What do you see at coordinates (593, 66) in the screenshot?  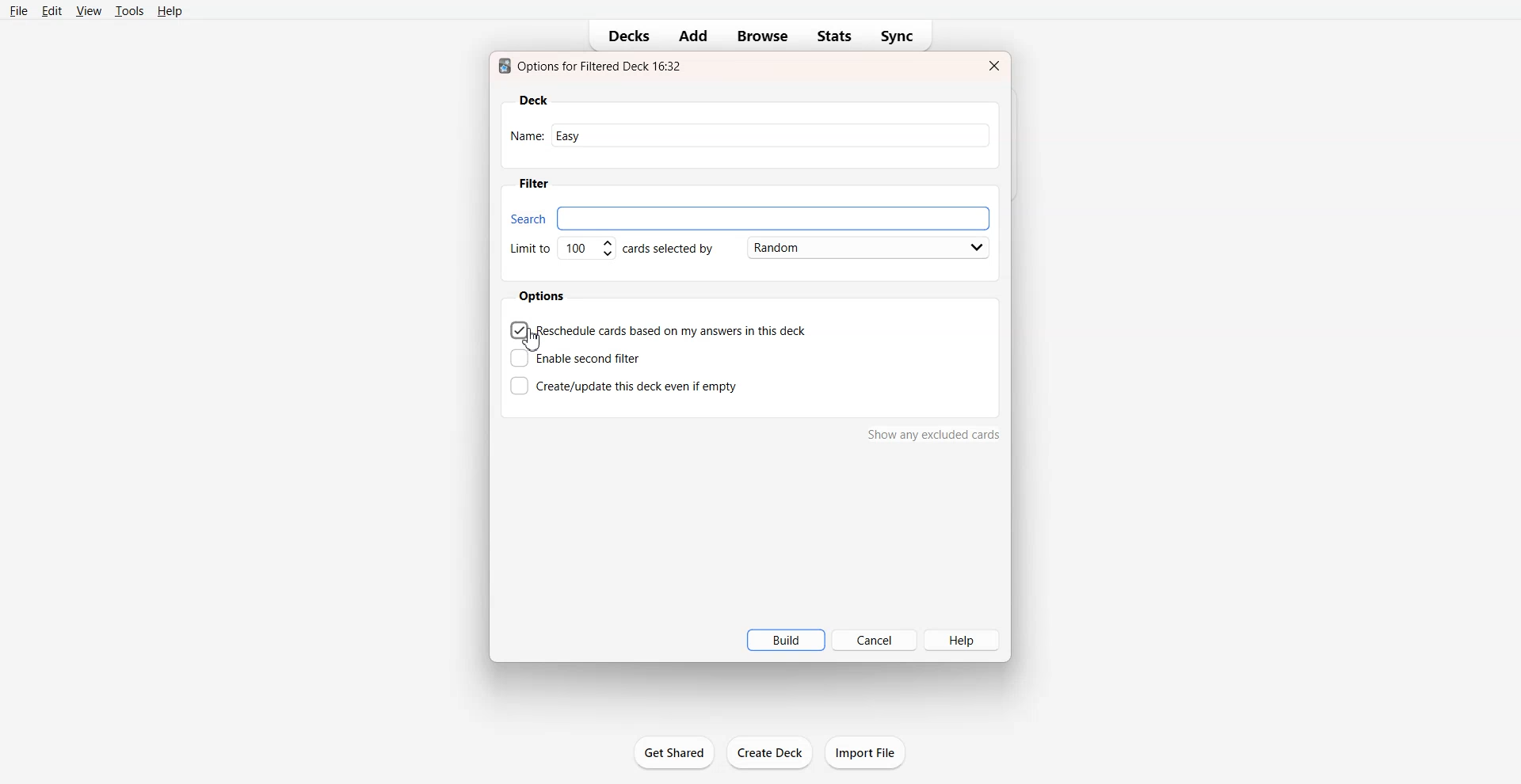 I see `Text` at bounding box center [593, 66].